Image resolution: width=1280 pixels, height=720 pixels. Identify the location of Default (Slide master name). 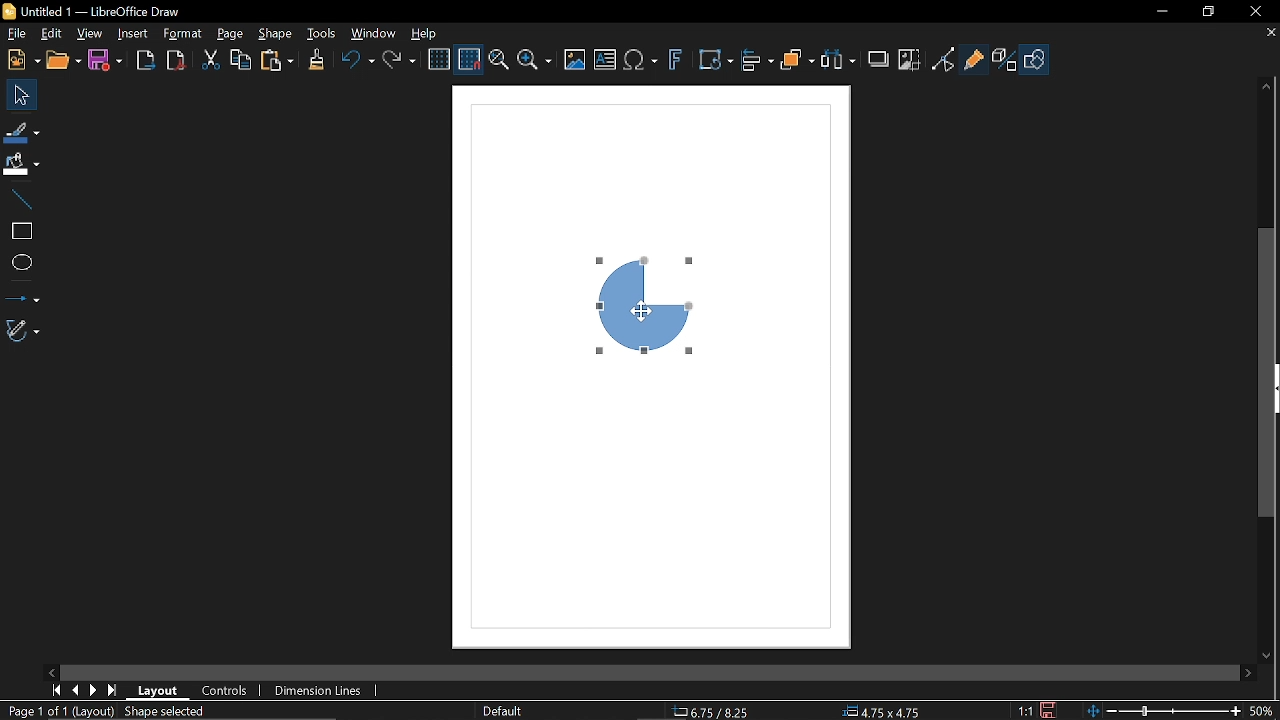
(504, 711).